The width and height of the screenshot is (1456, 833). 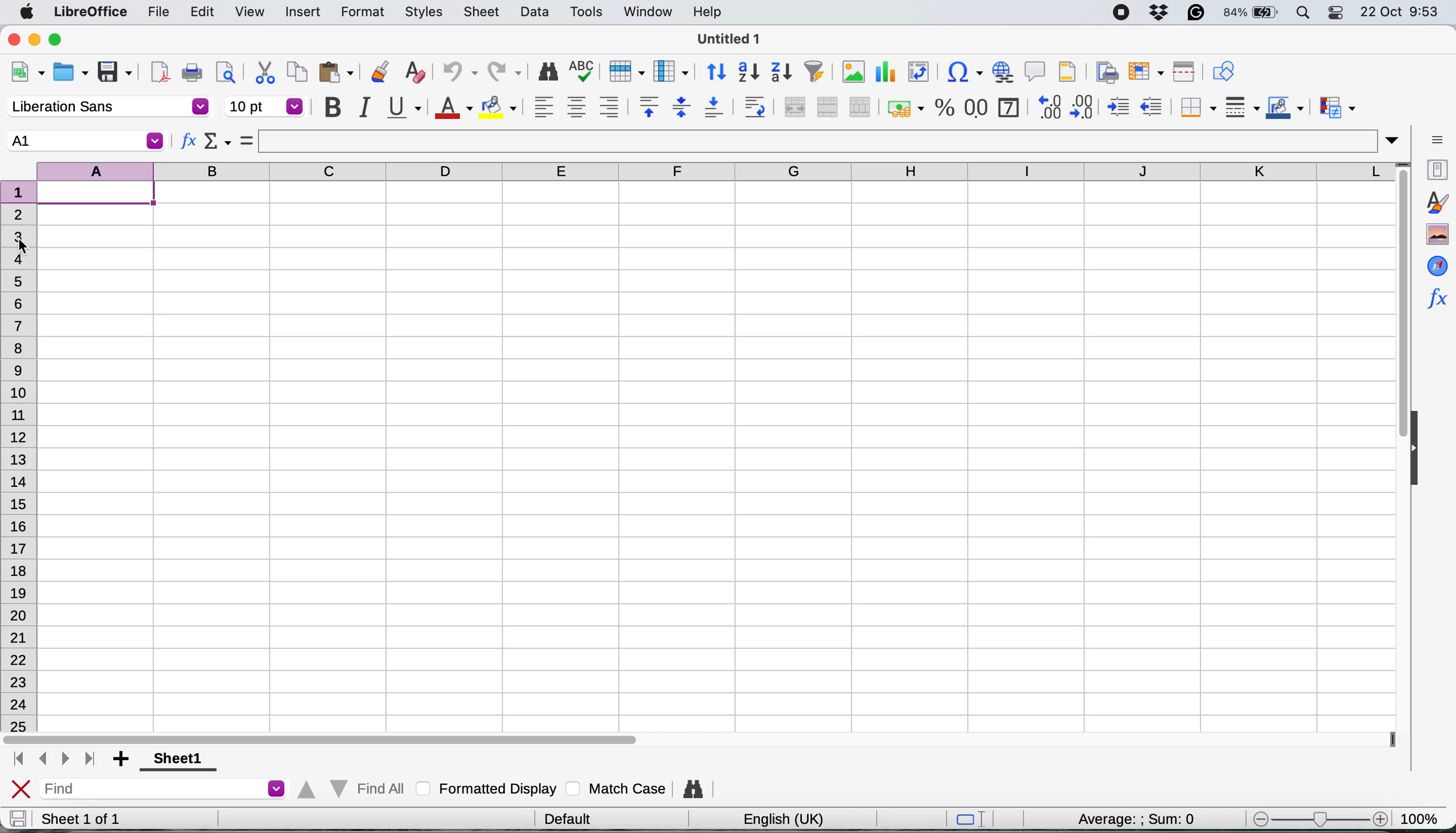 What do you see at coordinates (681, 106) in the screenshot?
I see `center vertically` at bounding box center [681, 106].